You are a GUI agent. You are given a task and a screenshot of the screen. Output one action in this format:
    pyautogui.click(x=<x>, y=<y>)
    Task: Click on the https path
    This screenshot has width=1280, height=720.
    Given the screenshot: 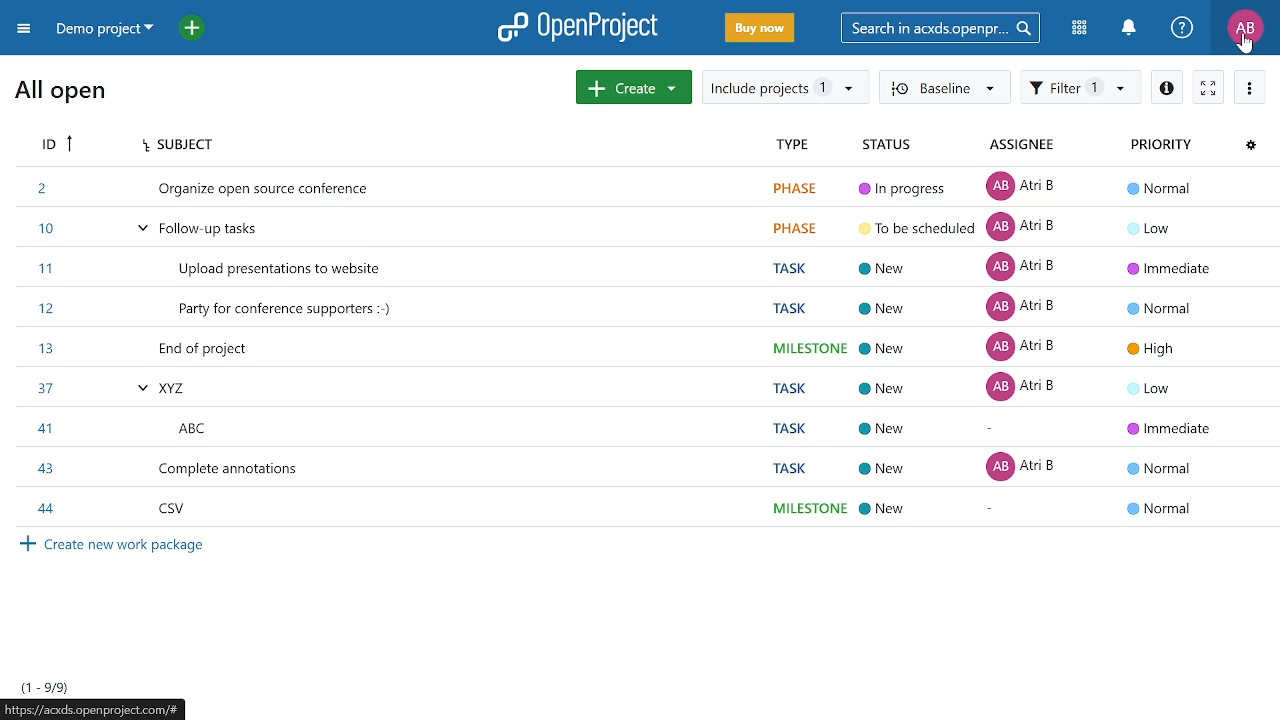 What is the action you would take?
    pyautogui.click(x=94, y=711)
    